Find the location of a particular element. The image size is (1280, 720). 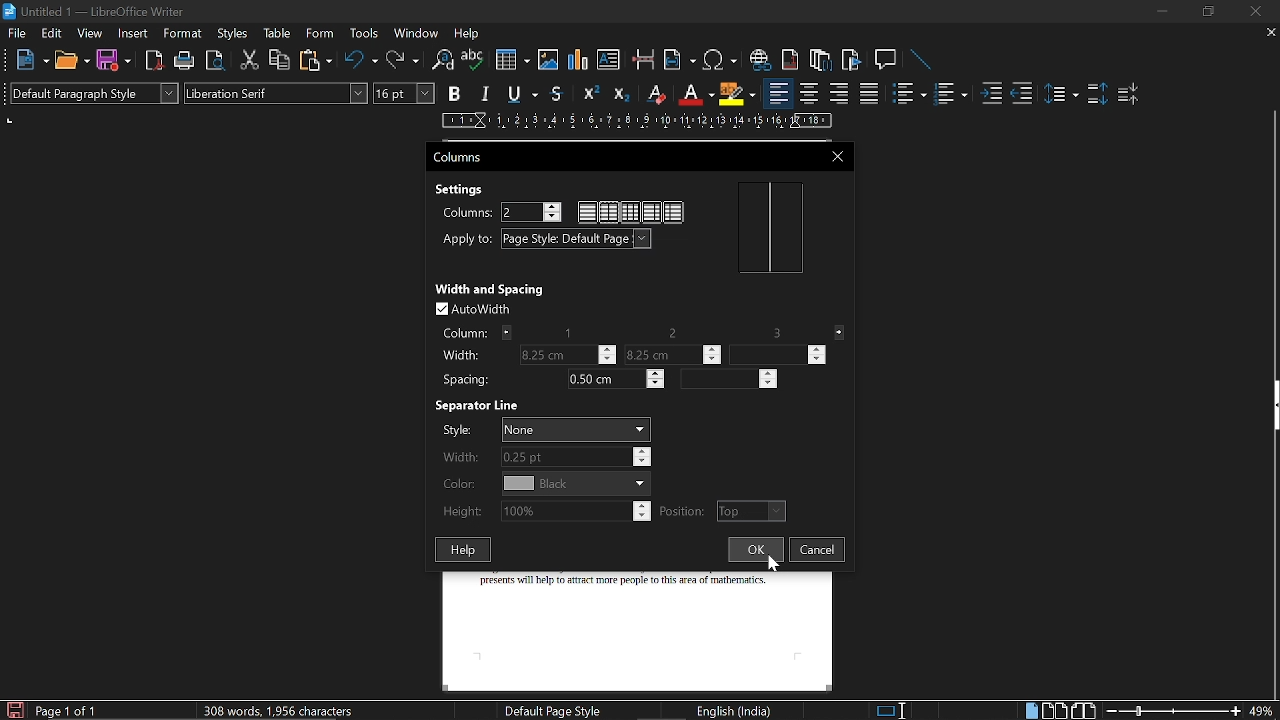

Paragraph style is located at coordinates (94, 93).